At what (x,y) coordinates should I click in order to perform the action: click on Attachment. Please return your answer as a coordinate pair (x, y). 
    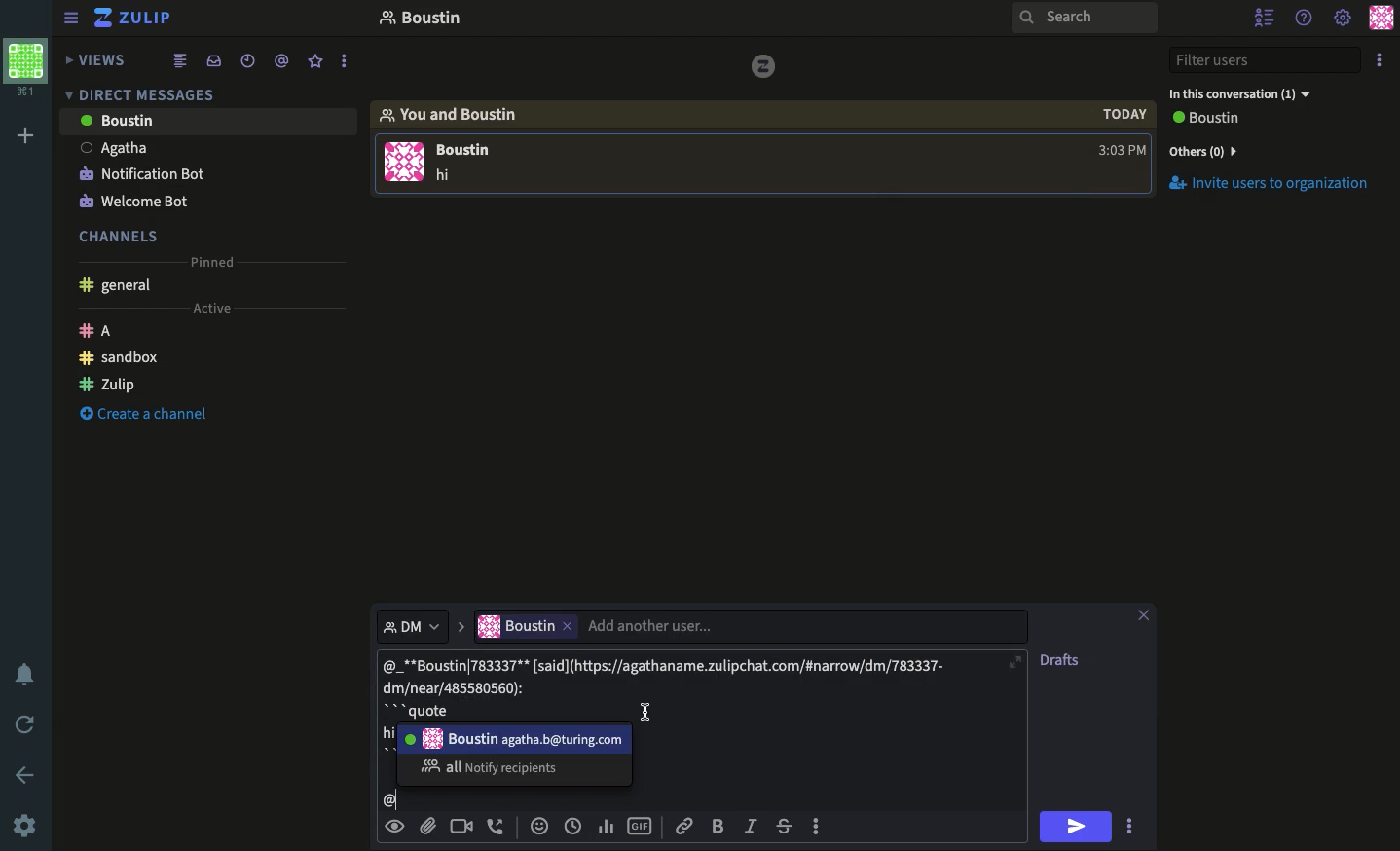
    Looking at the image, I should click on (427, 827).